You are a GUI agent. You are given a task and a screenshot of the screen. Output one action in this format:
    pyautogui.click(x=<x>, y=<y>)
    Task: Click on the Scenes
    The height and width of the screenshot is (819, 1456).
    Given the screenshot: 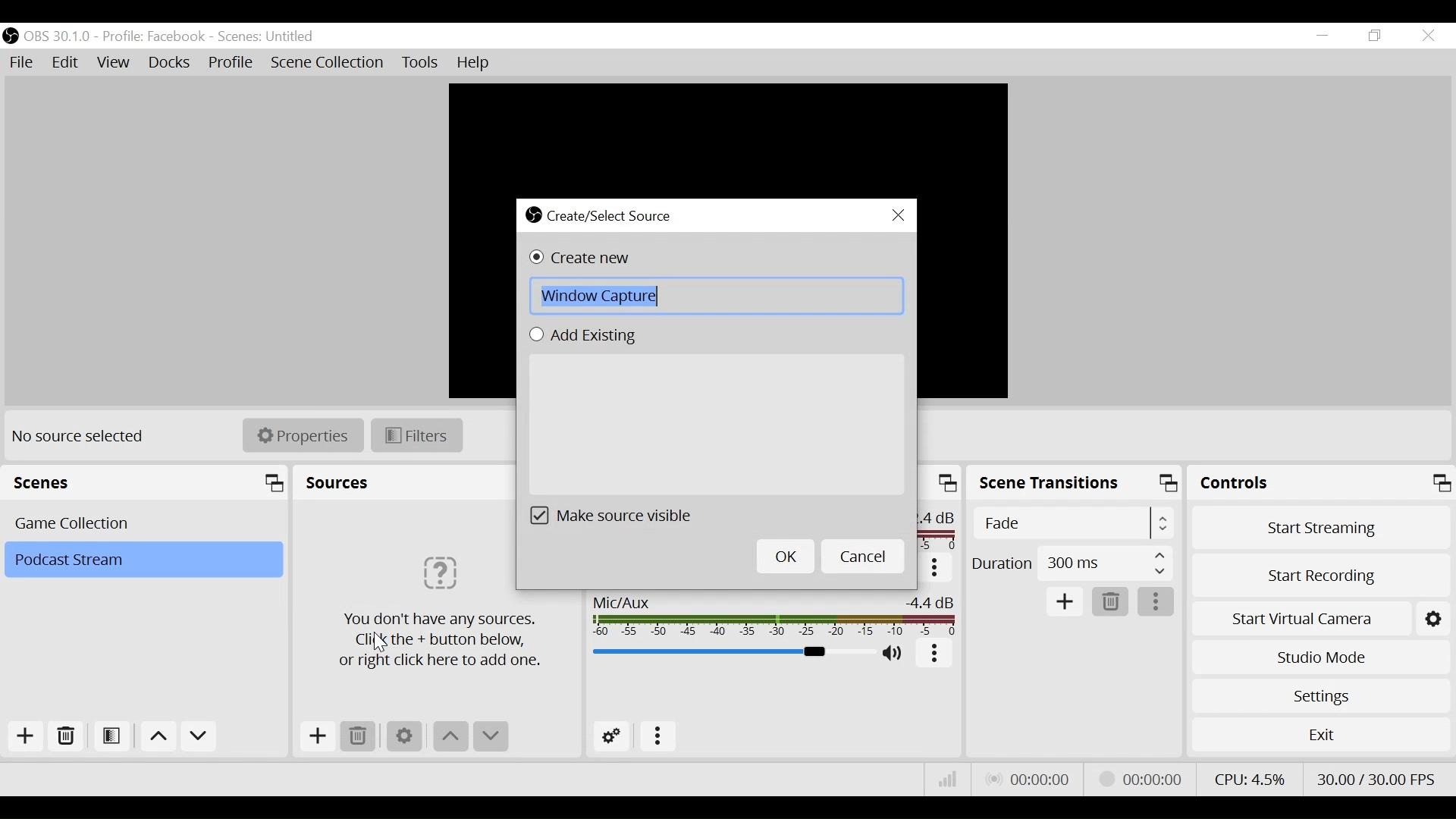 What is the action you would take?
    pyautogui.click(x=146, y=482)
    